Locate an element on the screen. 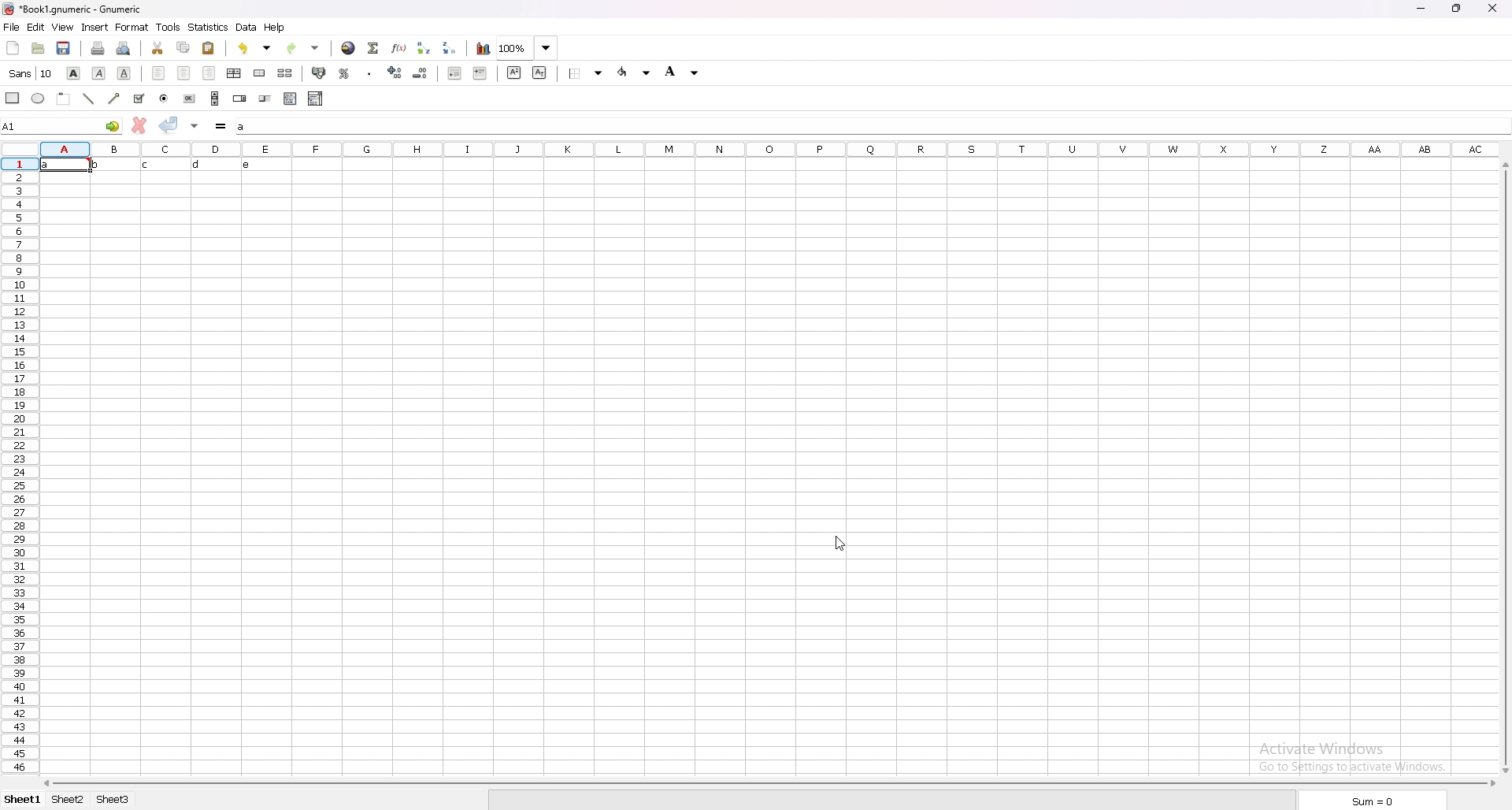 The height and width of the screenshot is (810, 1512). centre horizontally is located at coordinates (235, 74).